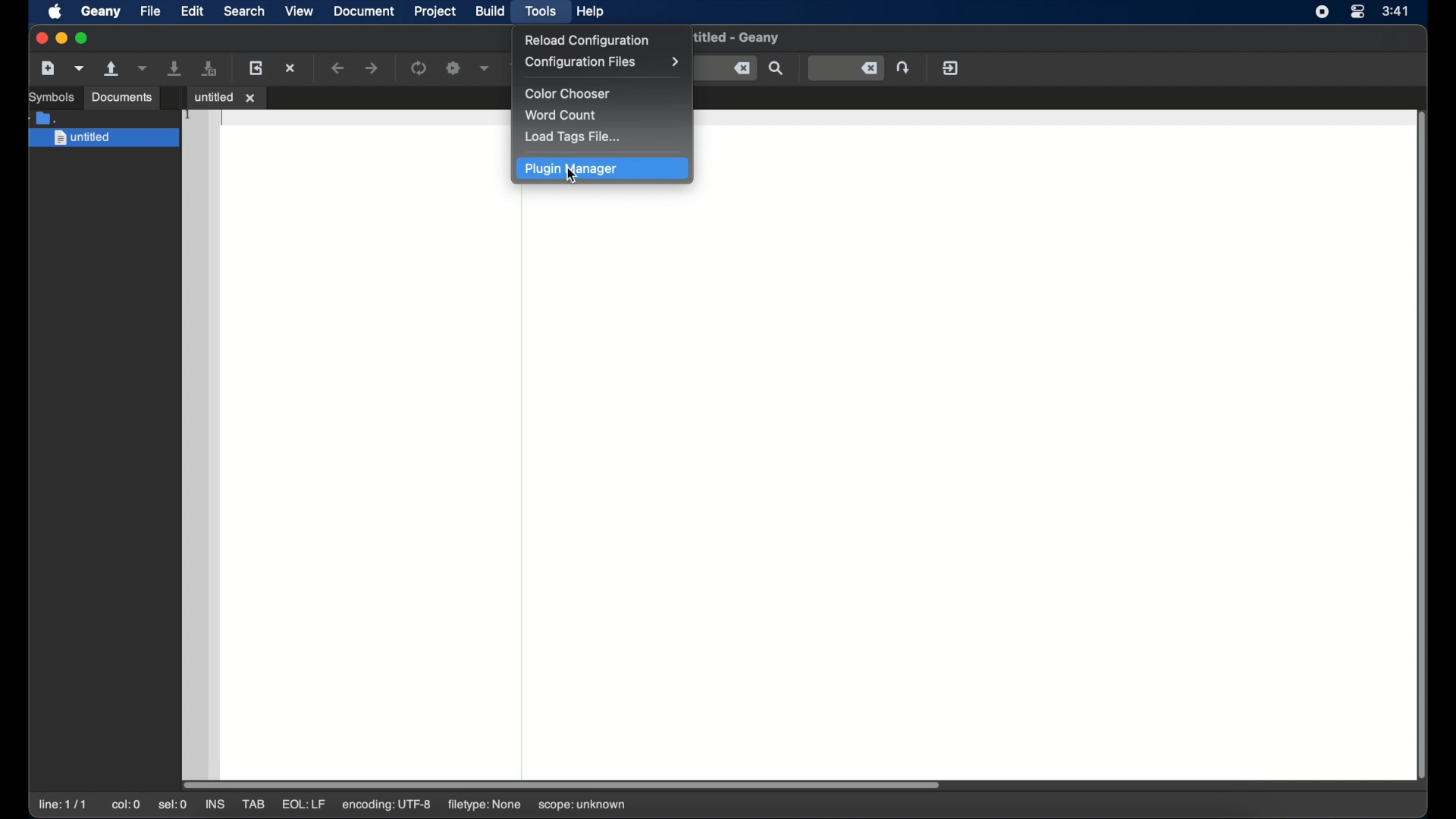 The image size is (1456, 819). What do you see at coordinates (256, 69) in the screenshot?
I see `load the current file from disk` at bounding box center [256, 69].